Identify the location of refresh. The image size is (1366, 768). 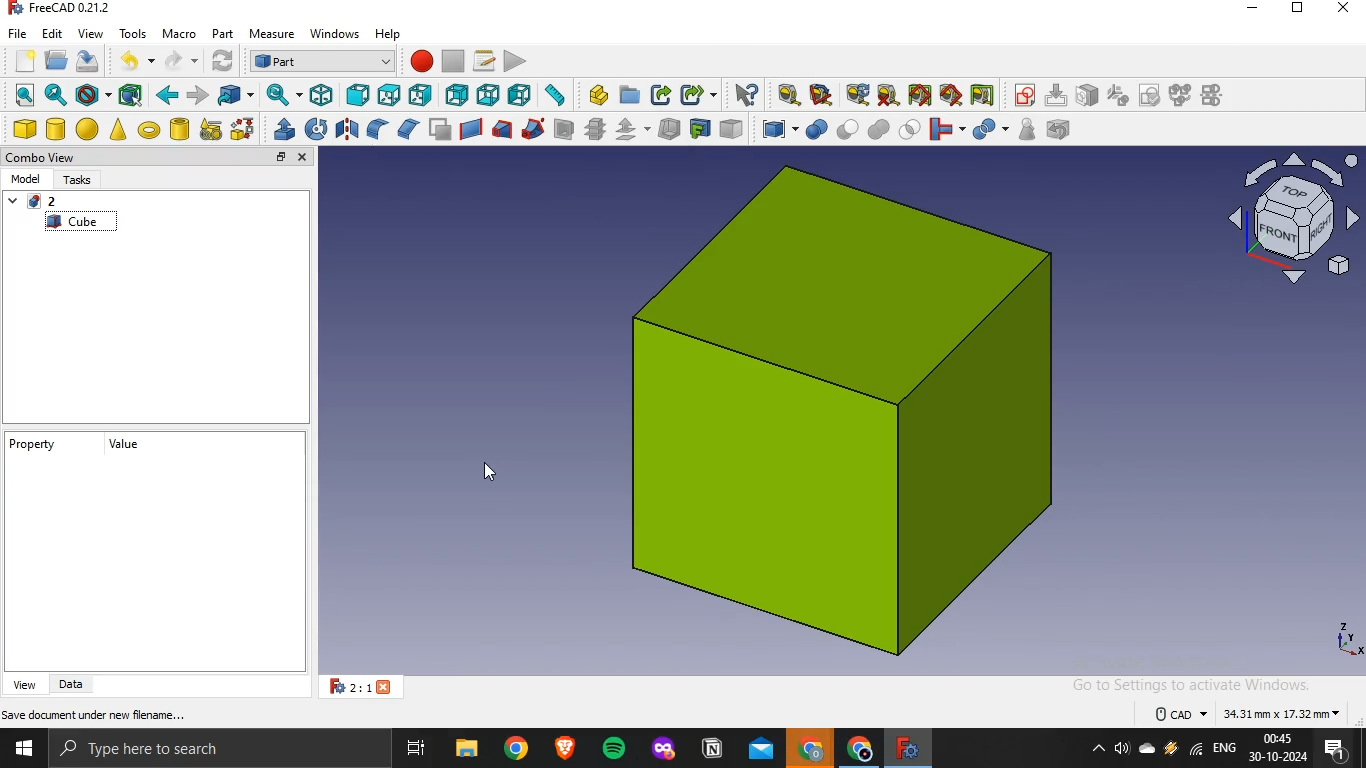
(222, 60).